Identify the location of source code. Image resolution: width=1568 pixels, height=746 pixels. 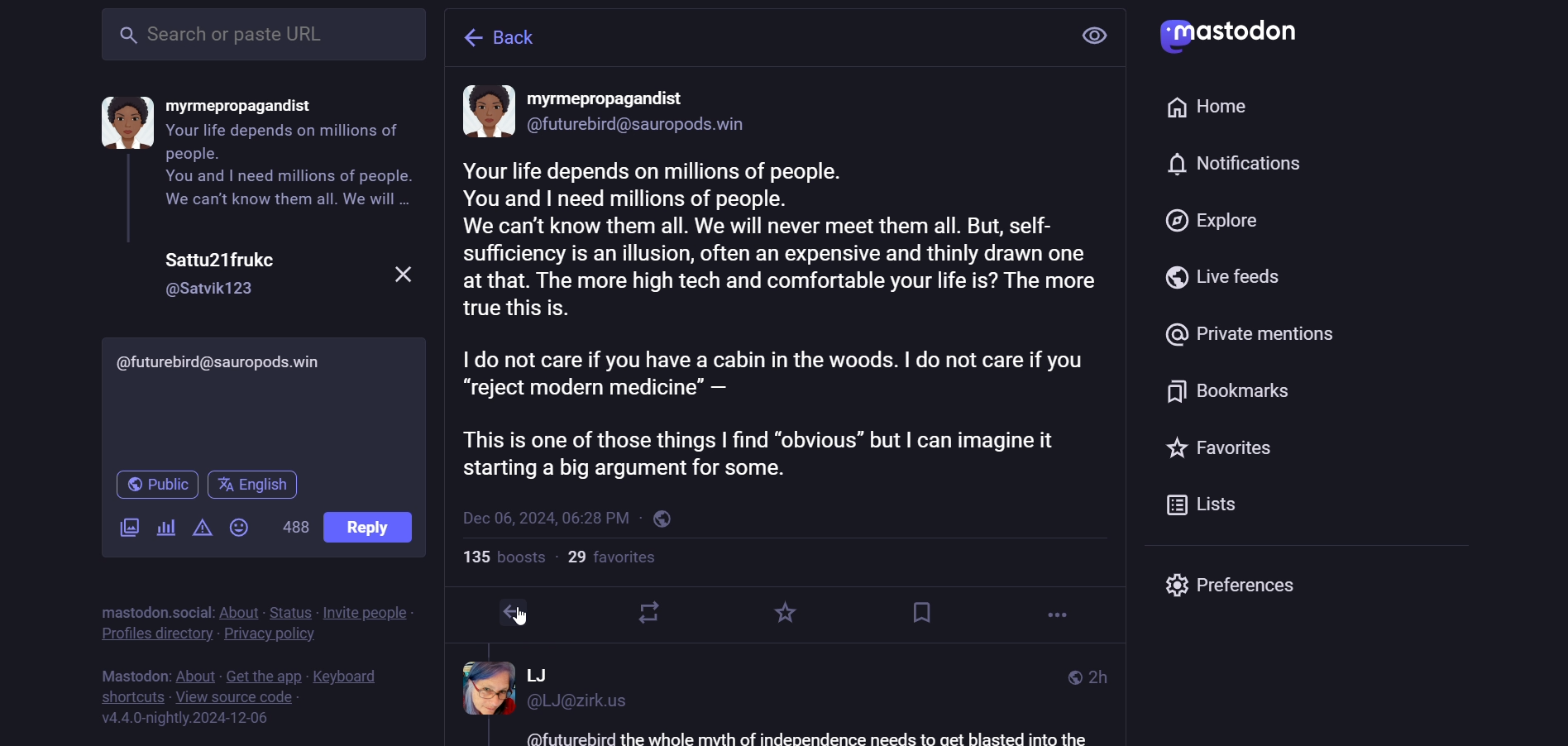
(240, 698).